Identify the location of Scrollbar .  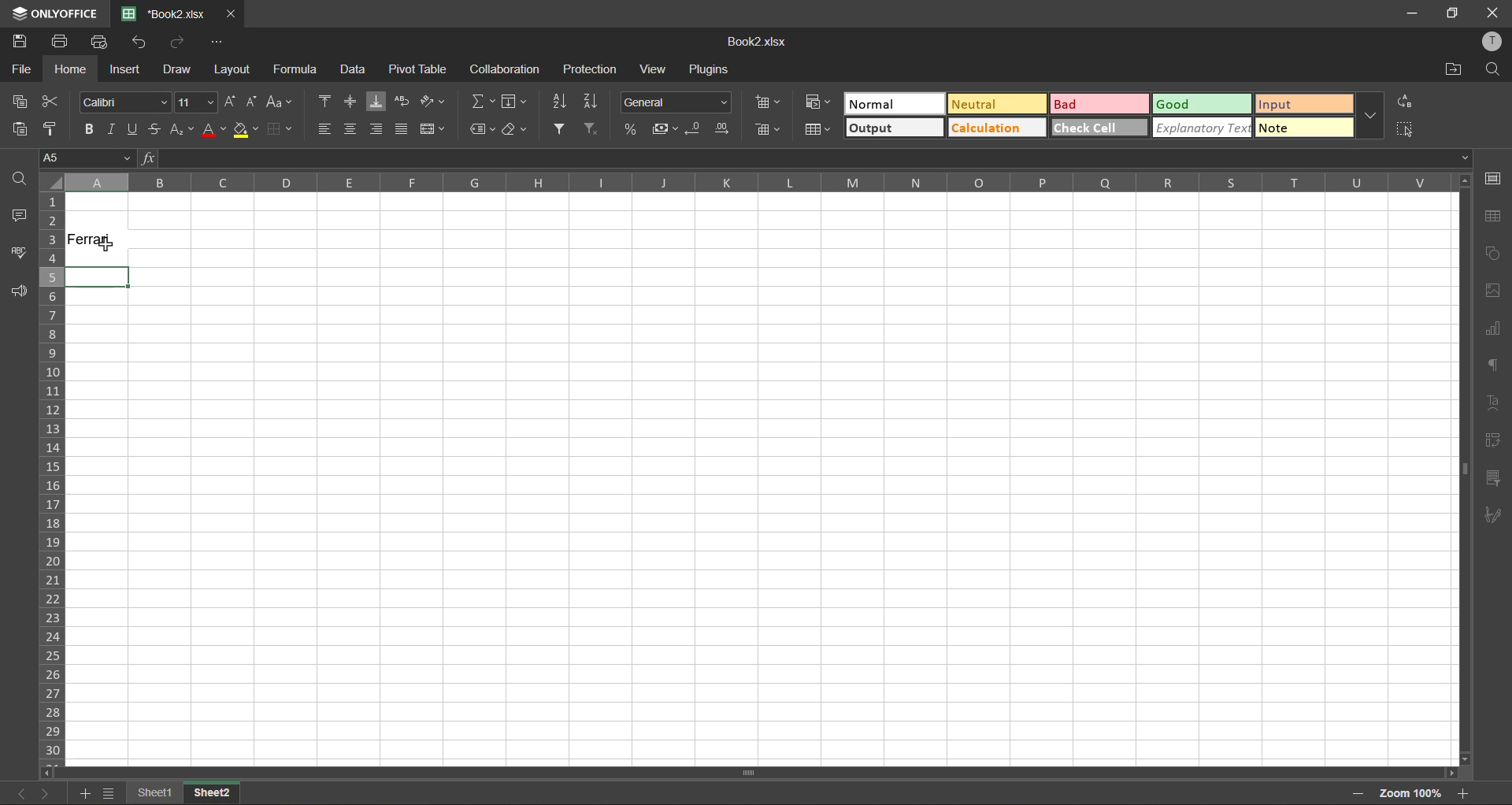
(745, 770).